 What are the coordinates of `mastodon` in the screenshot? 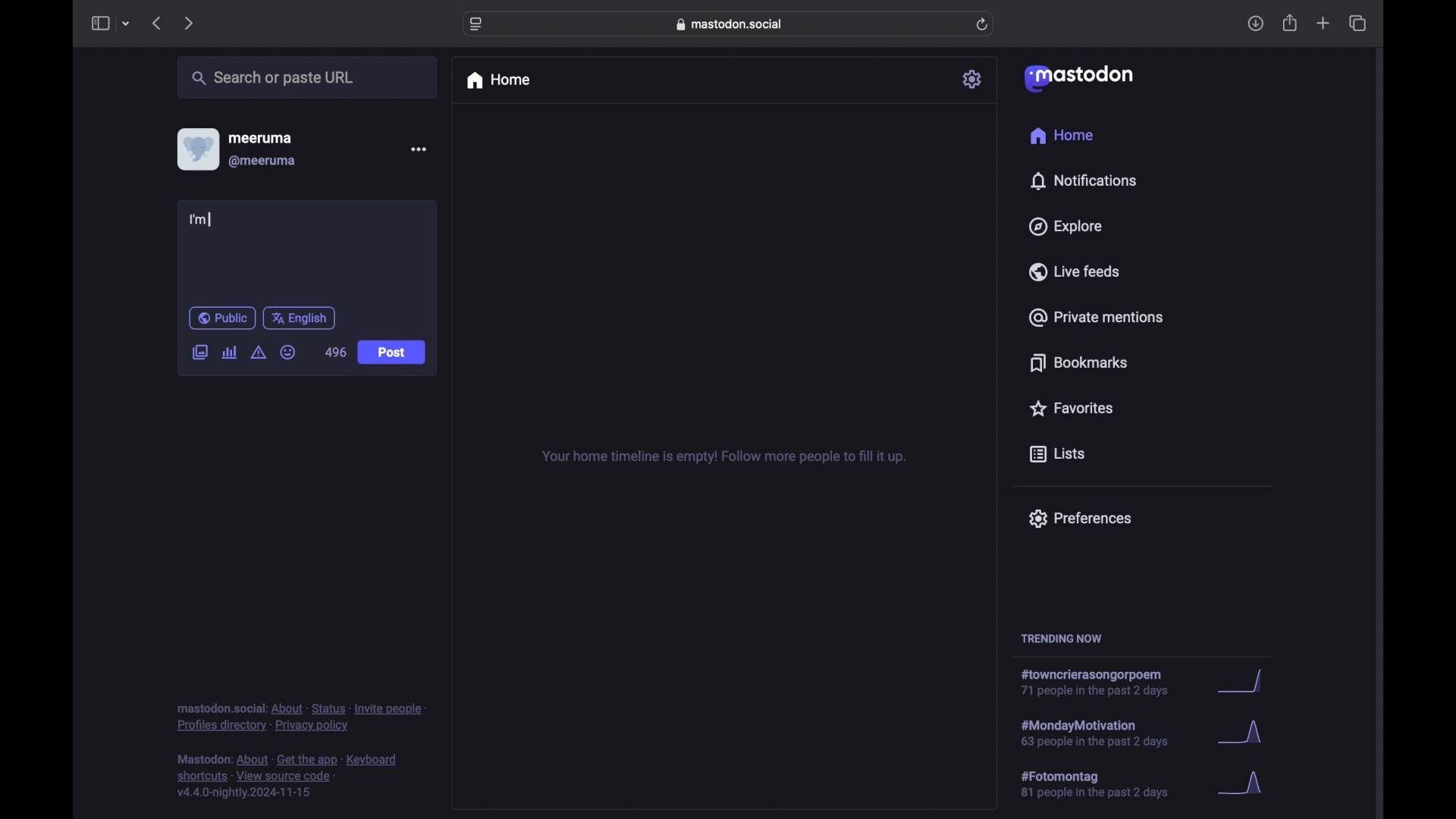 It's located at (1079, 79).